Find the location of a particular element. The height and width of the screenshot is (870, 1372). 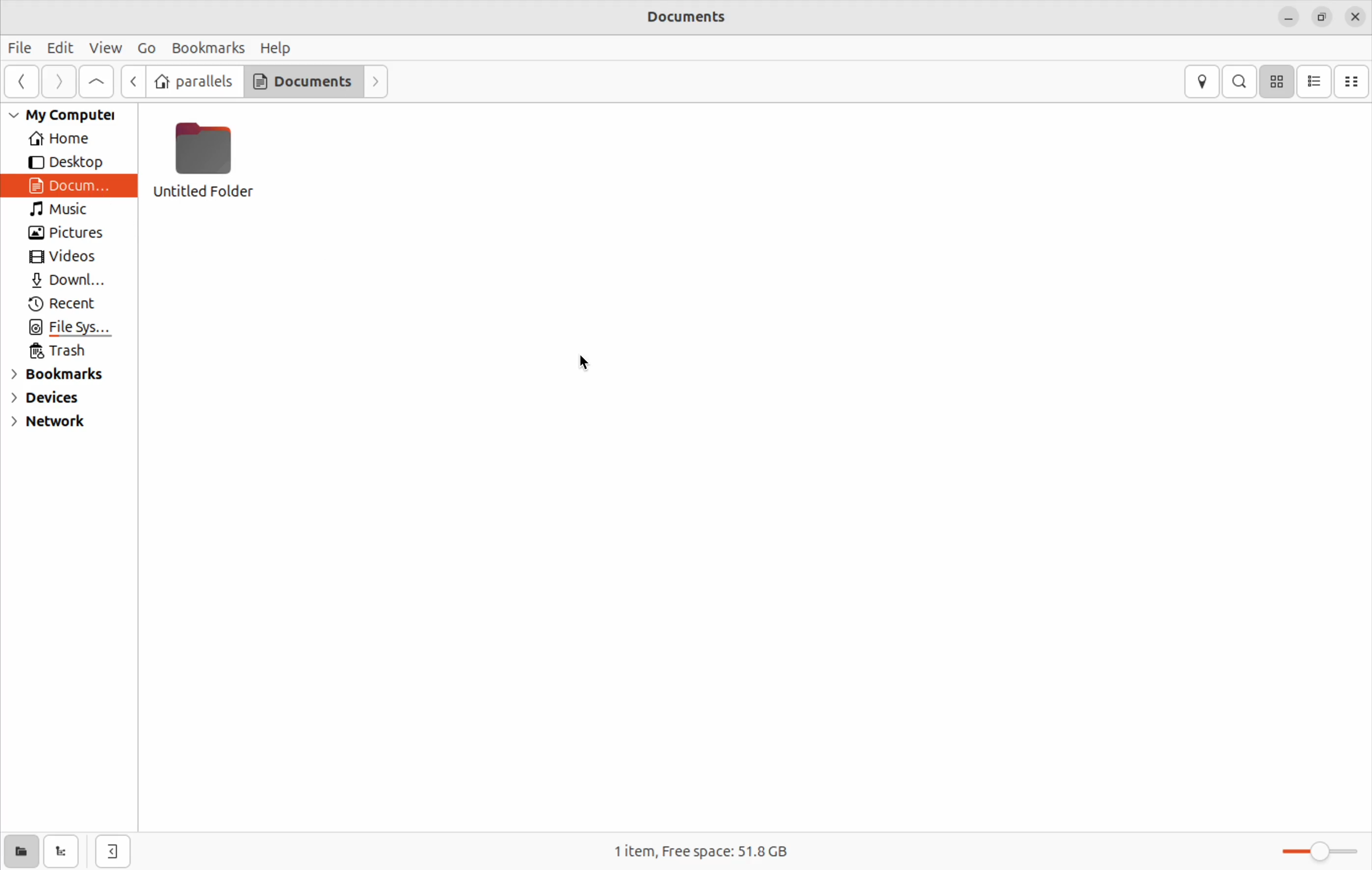

Untitled folder is located at coordinates (217, 163).